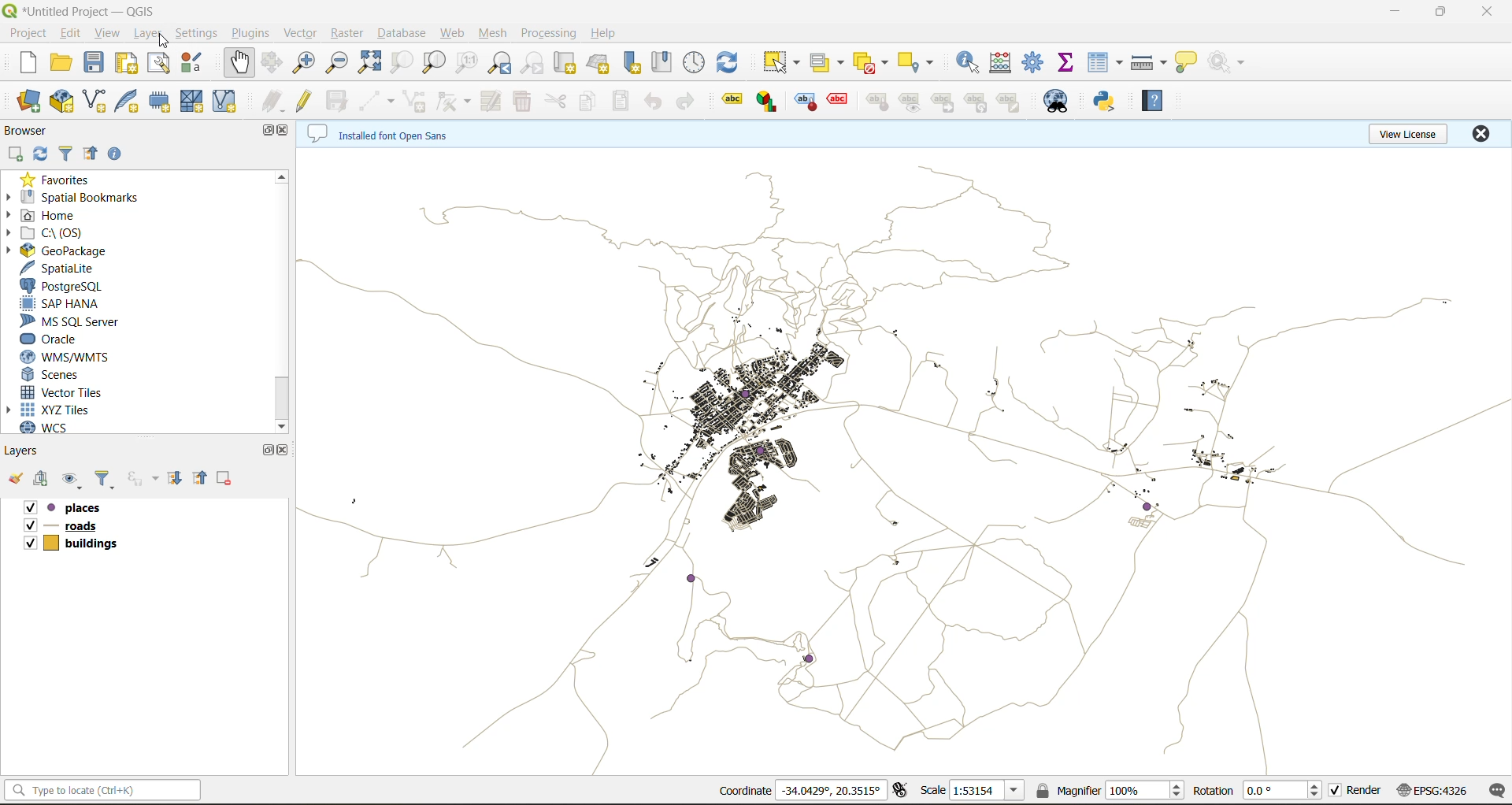 This screenshot has height=805, width=1512. I want to click on places, so click(76, 507).